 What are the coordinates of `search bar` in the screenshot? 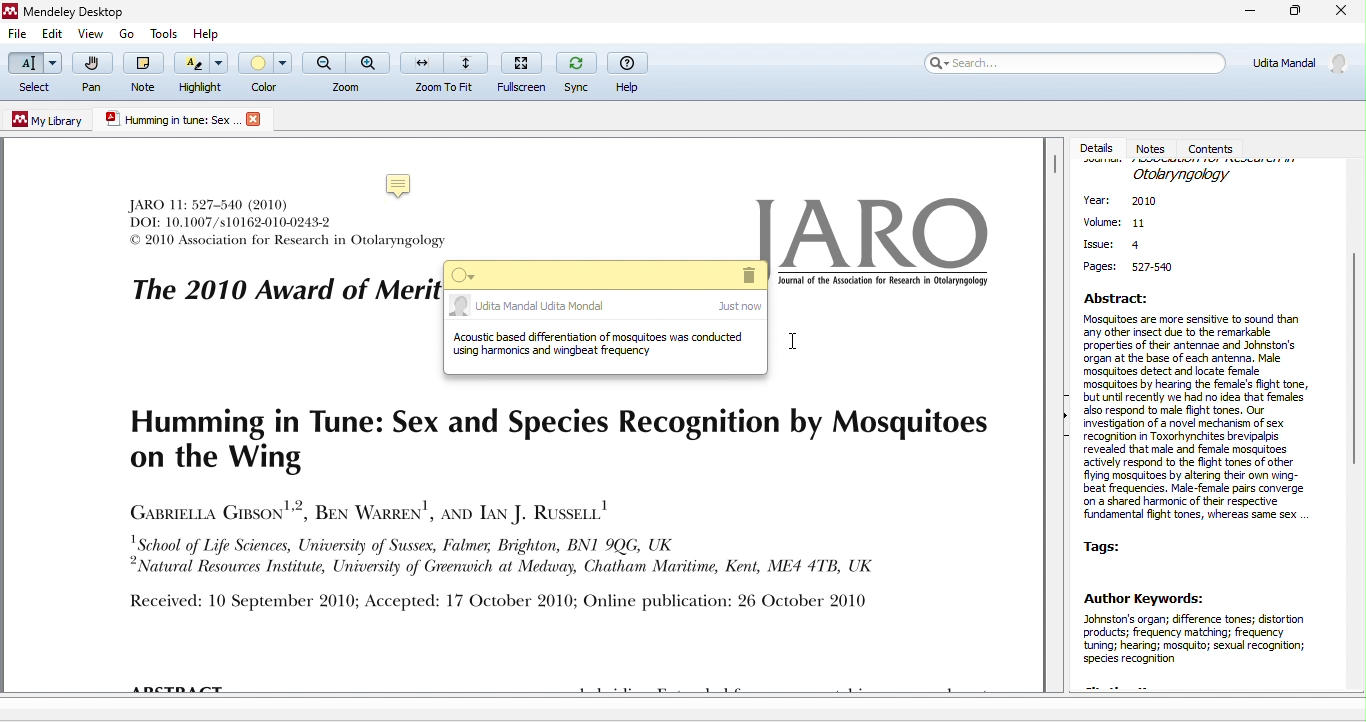 It's located at (1075, 64).